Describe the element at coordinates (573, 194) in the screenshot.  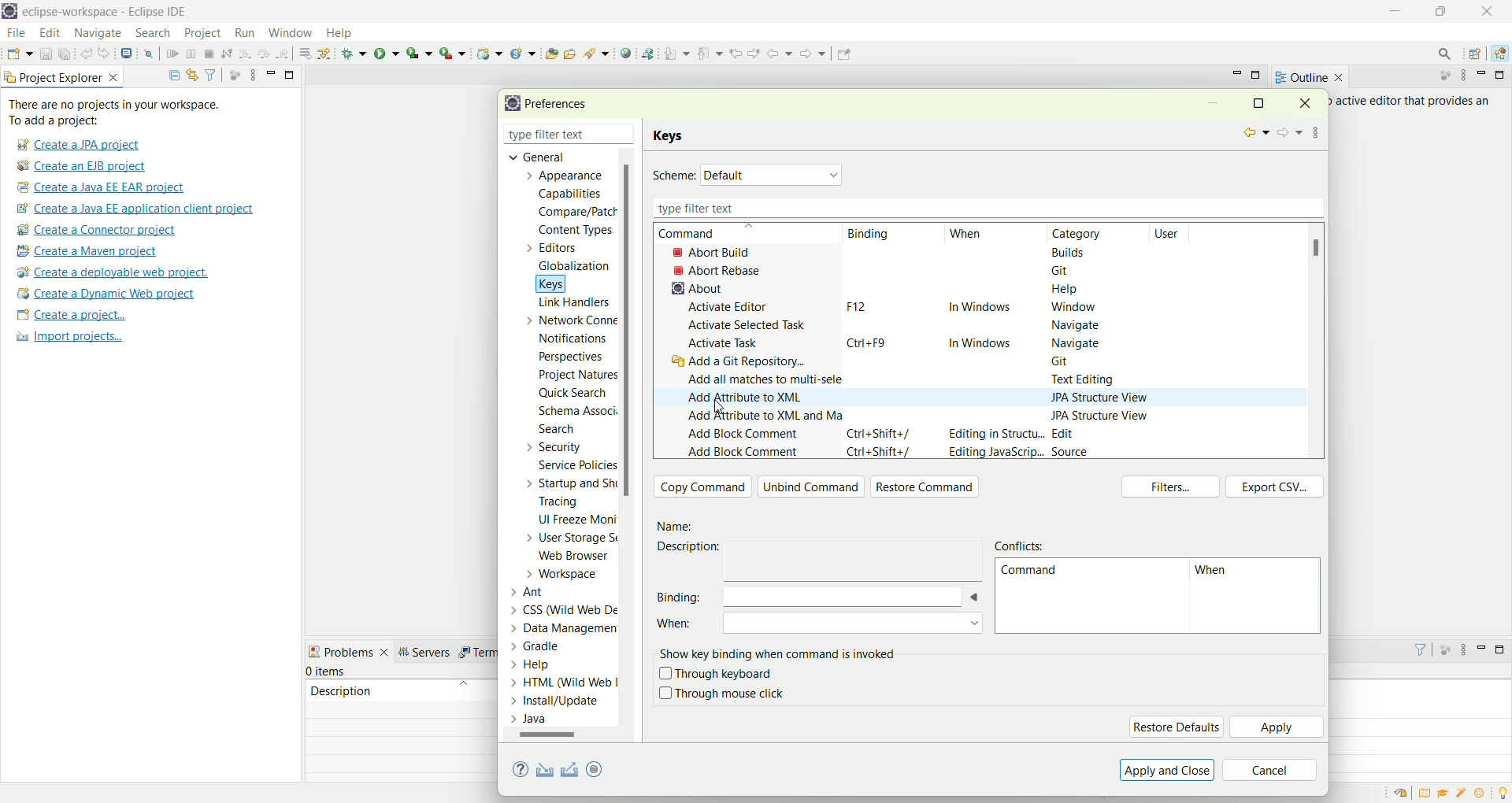
I see `capabilities` at that location.